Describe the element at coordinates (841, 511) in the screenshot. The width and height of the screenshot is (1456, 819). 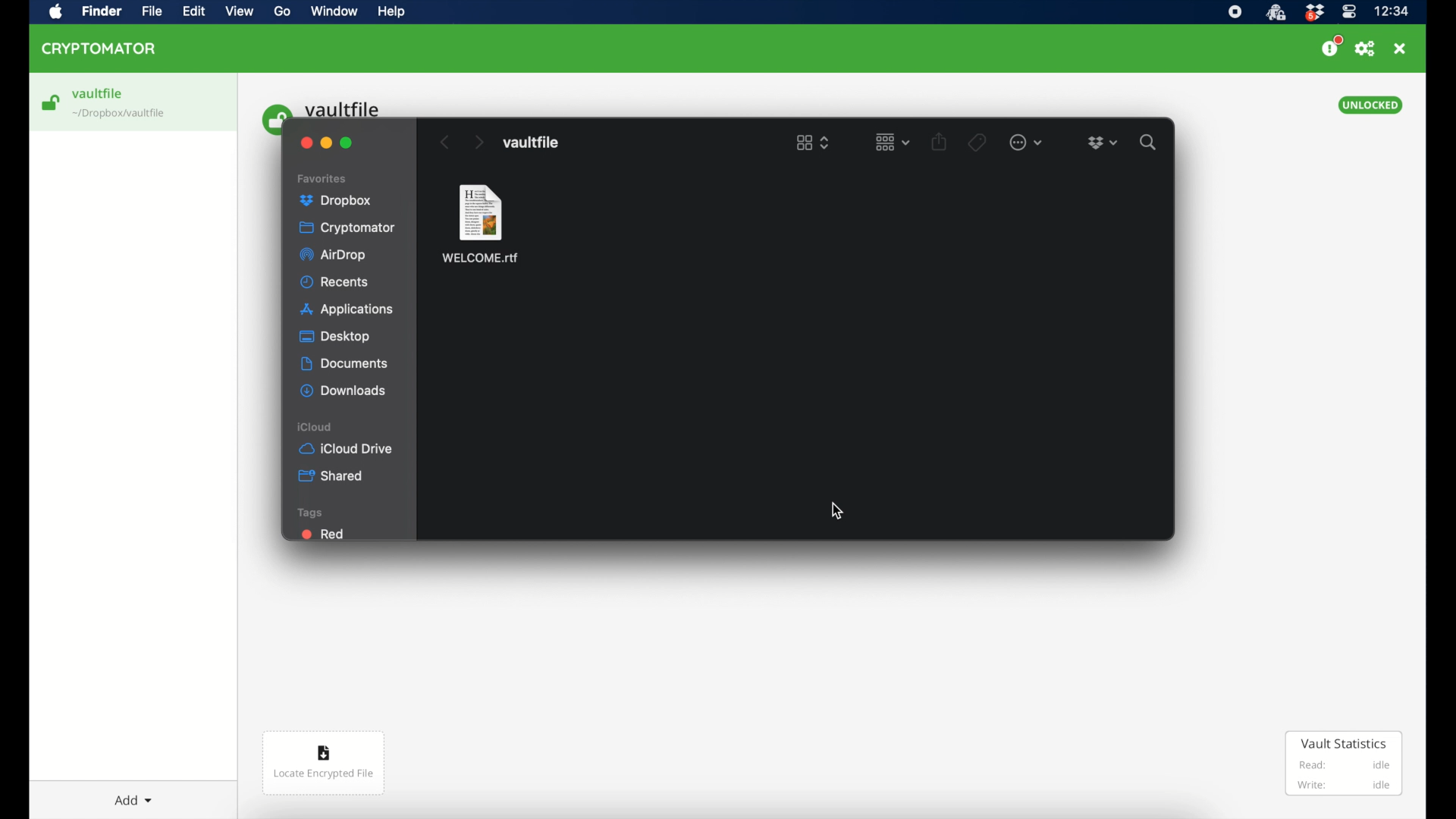
I see `cursor` at that location.